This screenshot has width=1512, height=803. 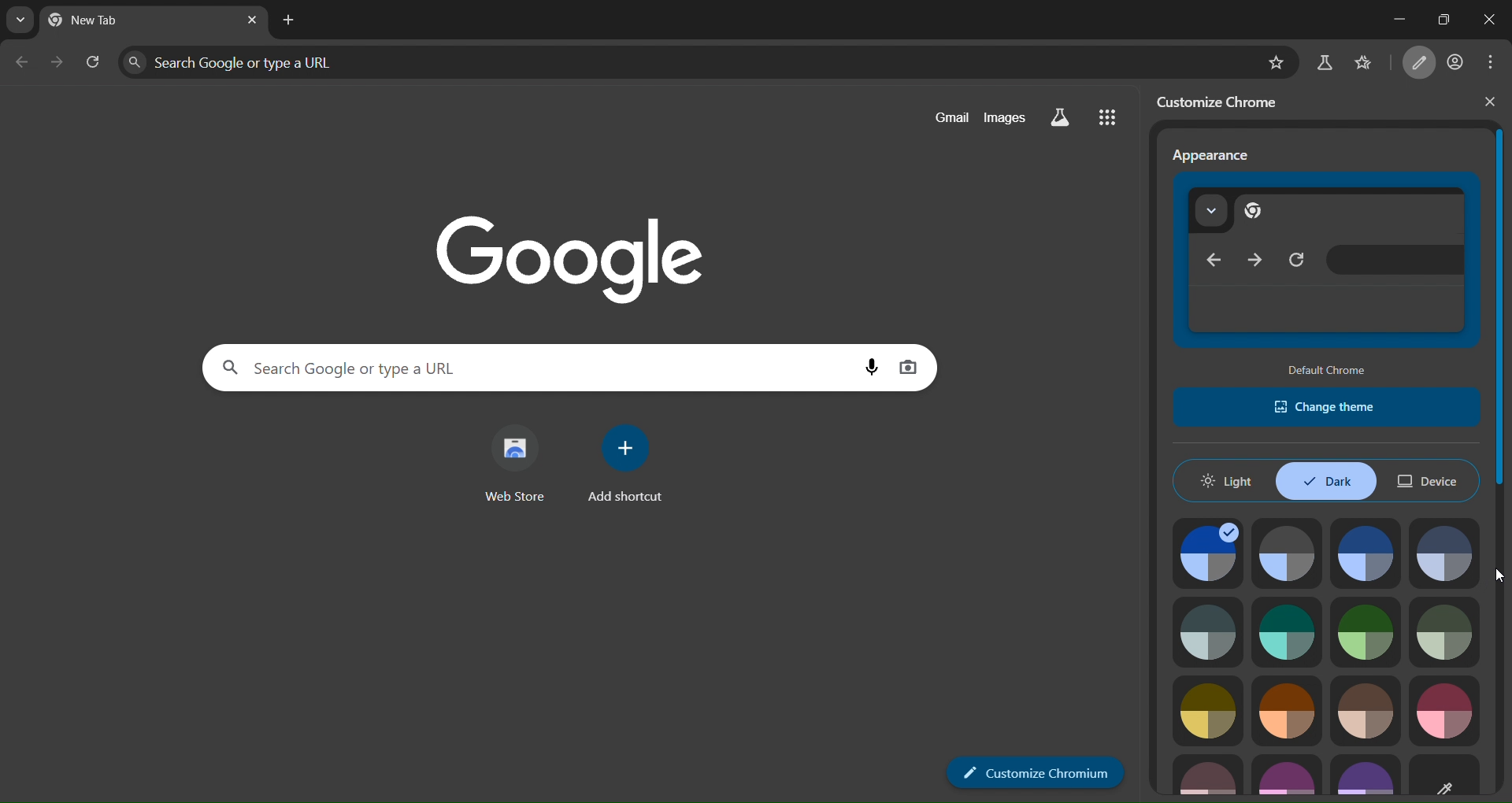 What do you see at coordinates (1228, 101) in the screenshot?
I see `customize chrome` at bounding box center [1228, 101].